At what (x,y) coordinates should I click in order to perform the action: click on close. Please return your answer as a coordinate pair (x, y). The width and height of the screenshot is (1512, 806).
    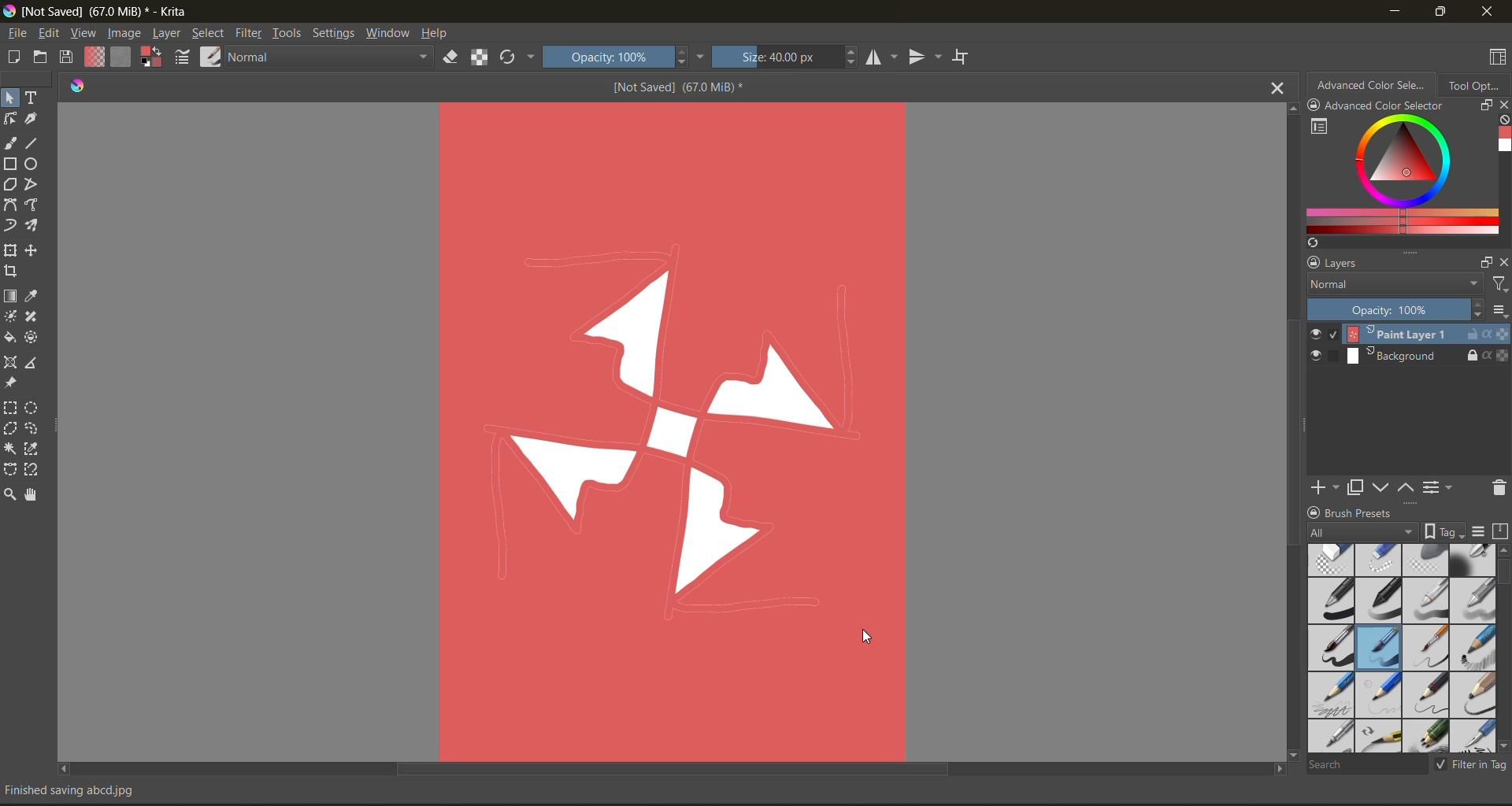
    Looking at the image, I should click on (1487, 13).